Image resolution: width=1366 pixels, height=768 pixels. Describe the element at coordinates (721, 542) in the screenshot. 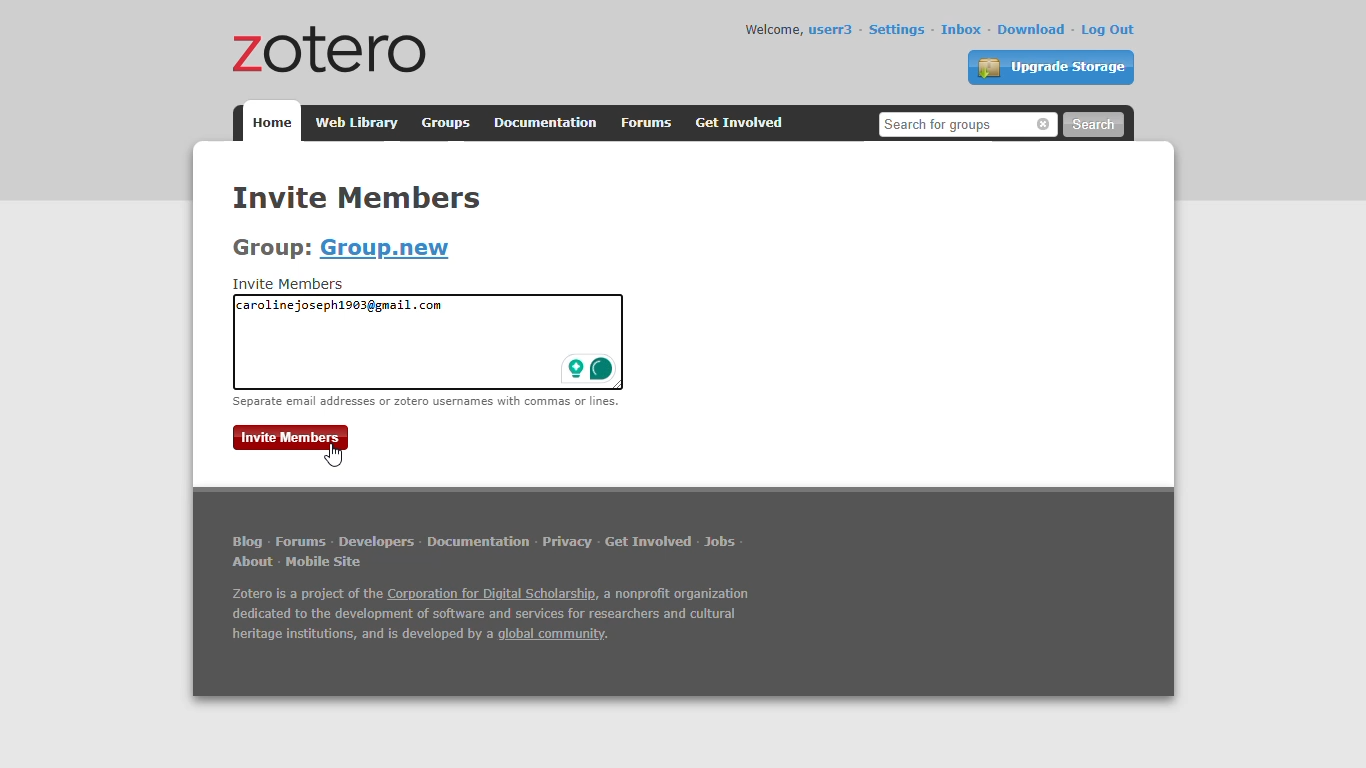

I see `jobs` at that location.